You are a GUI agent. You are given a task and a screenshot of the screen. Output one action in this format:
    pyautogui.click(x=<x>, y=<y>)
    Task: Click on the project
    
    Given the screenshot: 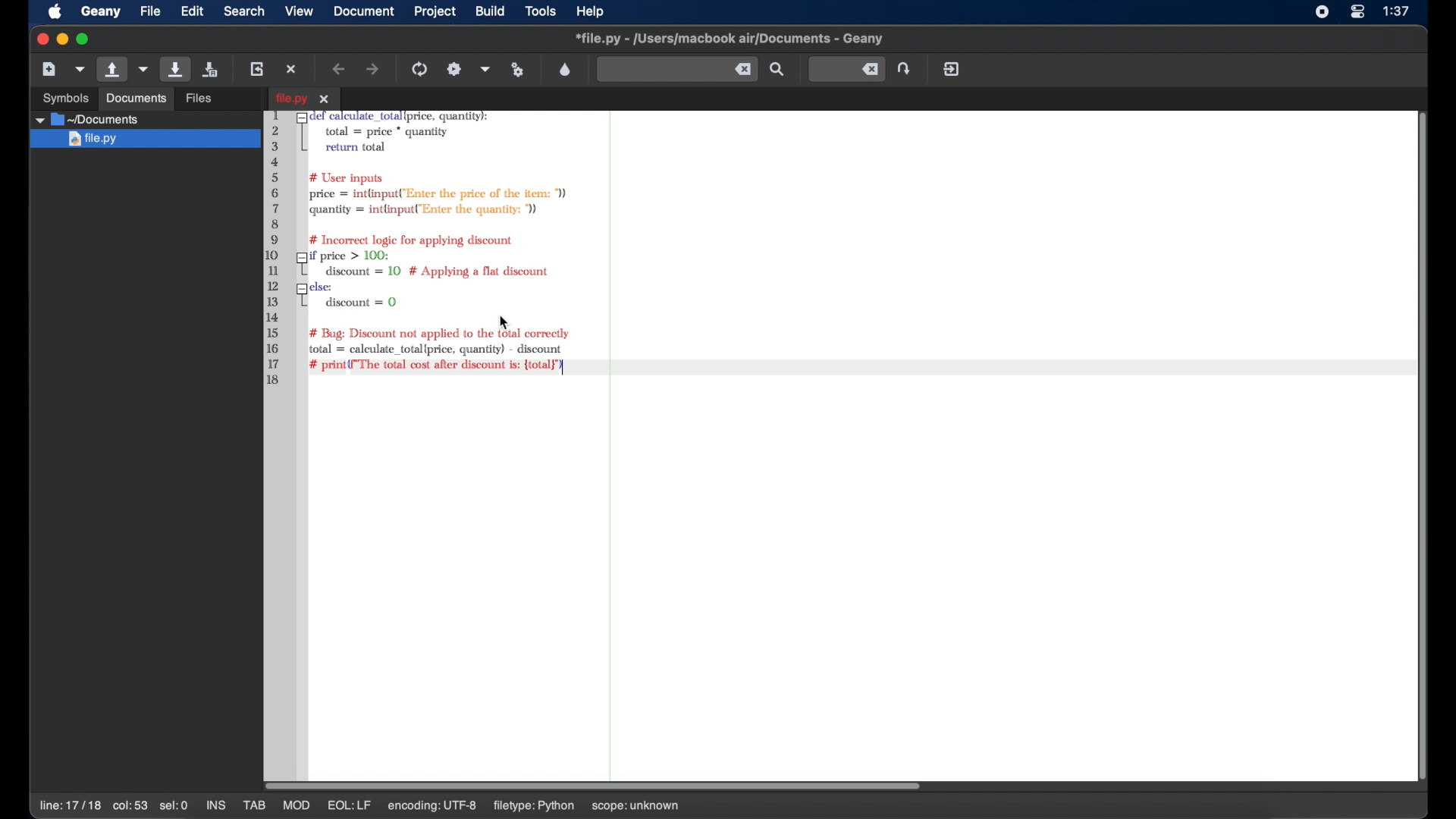 What is the action you would take?
    pyautogui.click(x=435, y=11)
    